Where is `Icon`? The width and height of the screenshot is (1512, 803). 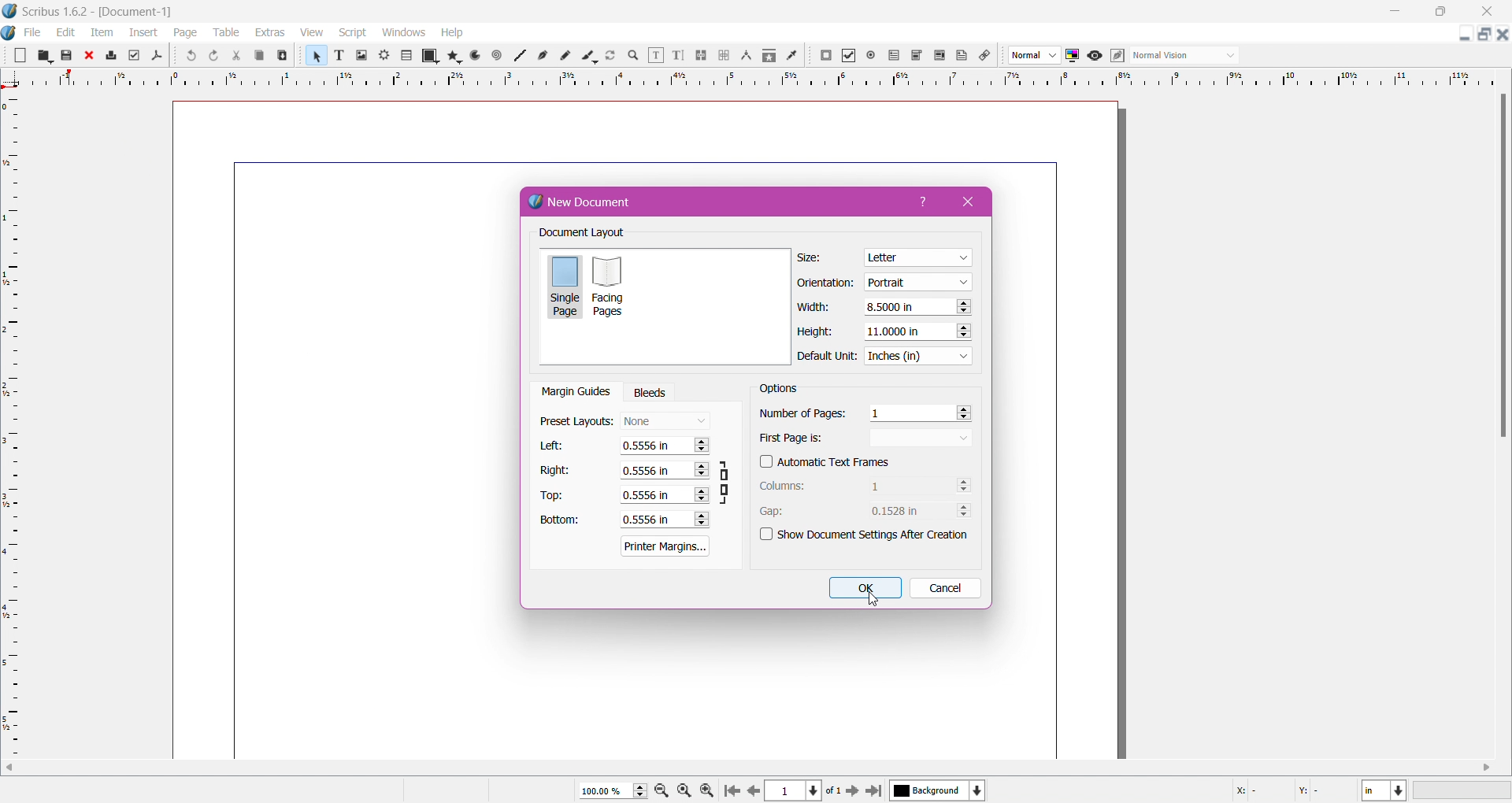 Icon is located at coordinates (895, 56).